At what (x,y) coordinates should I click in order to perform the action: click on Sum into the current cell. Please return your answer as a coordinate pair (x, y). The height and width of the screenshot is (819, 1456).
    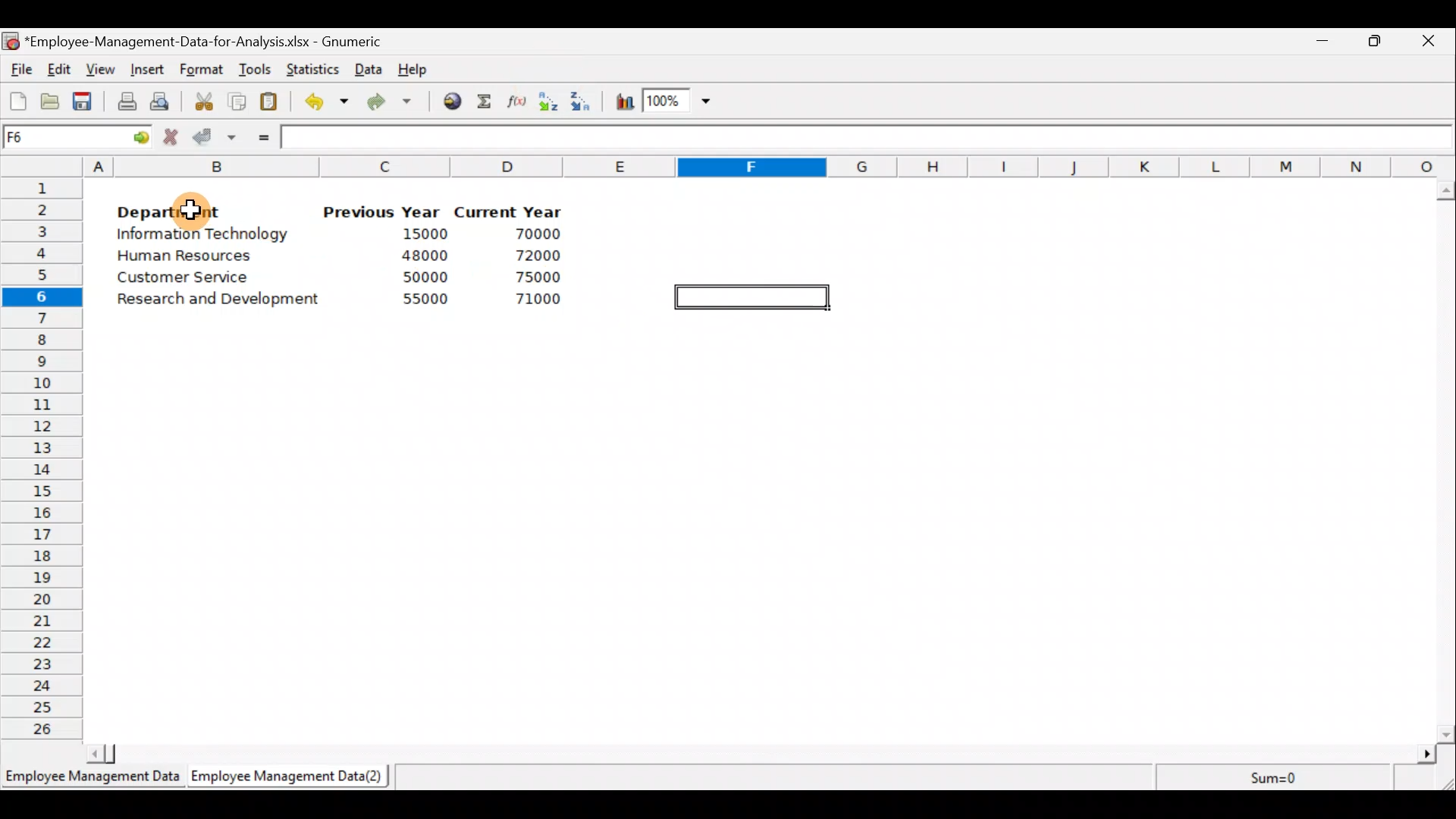
    Looking at the image, I should click on (482, 101).